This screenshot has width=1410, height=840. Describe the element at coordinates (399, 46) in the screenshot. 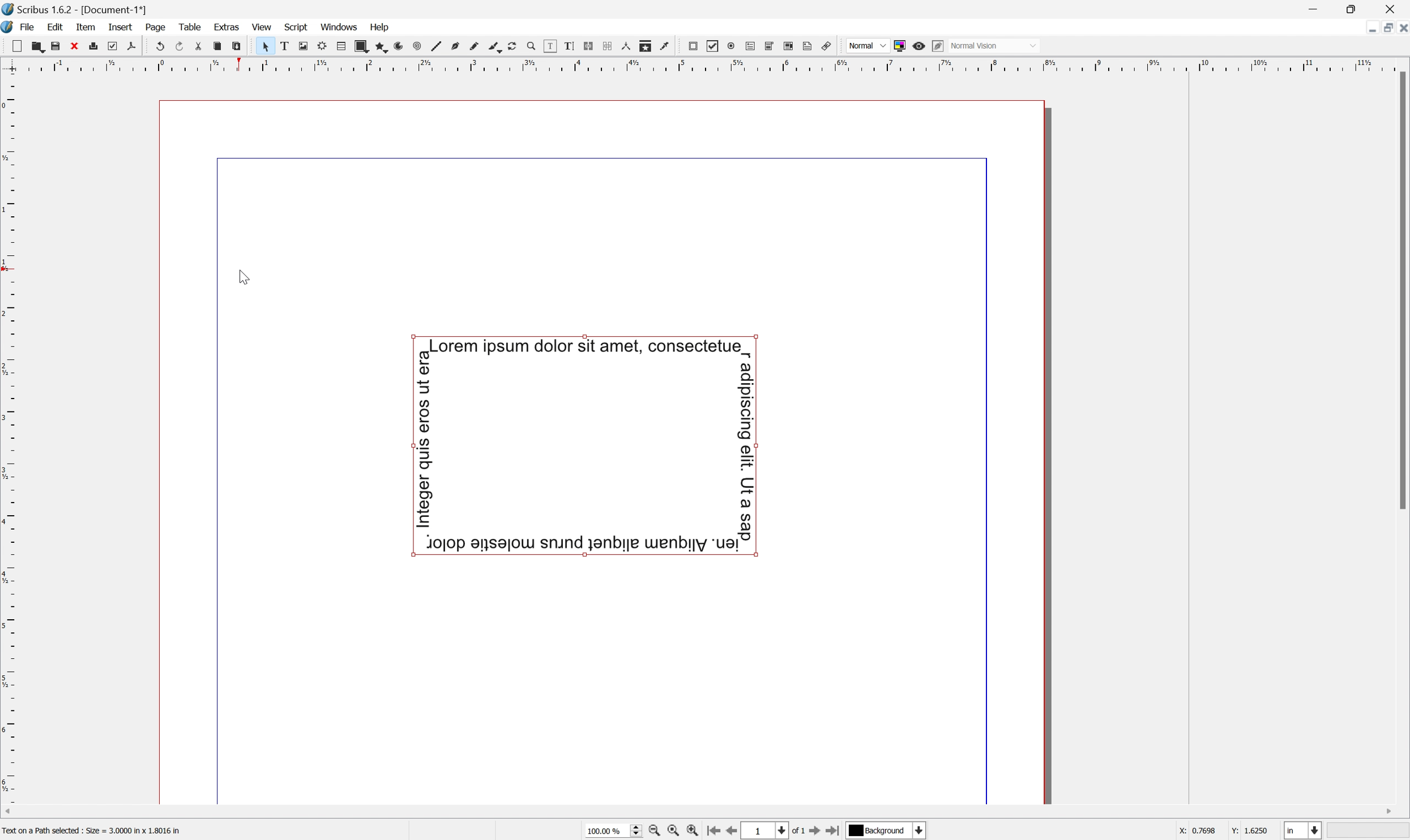

I see `Arc` at that location.